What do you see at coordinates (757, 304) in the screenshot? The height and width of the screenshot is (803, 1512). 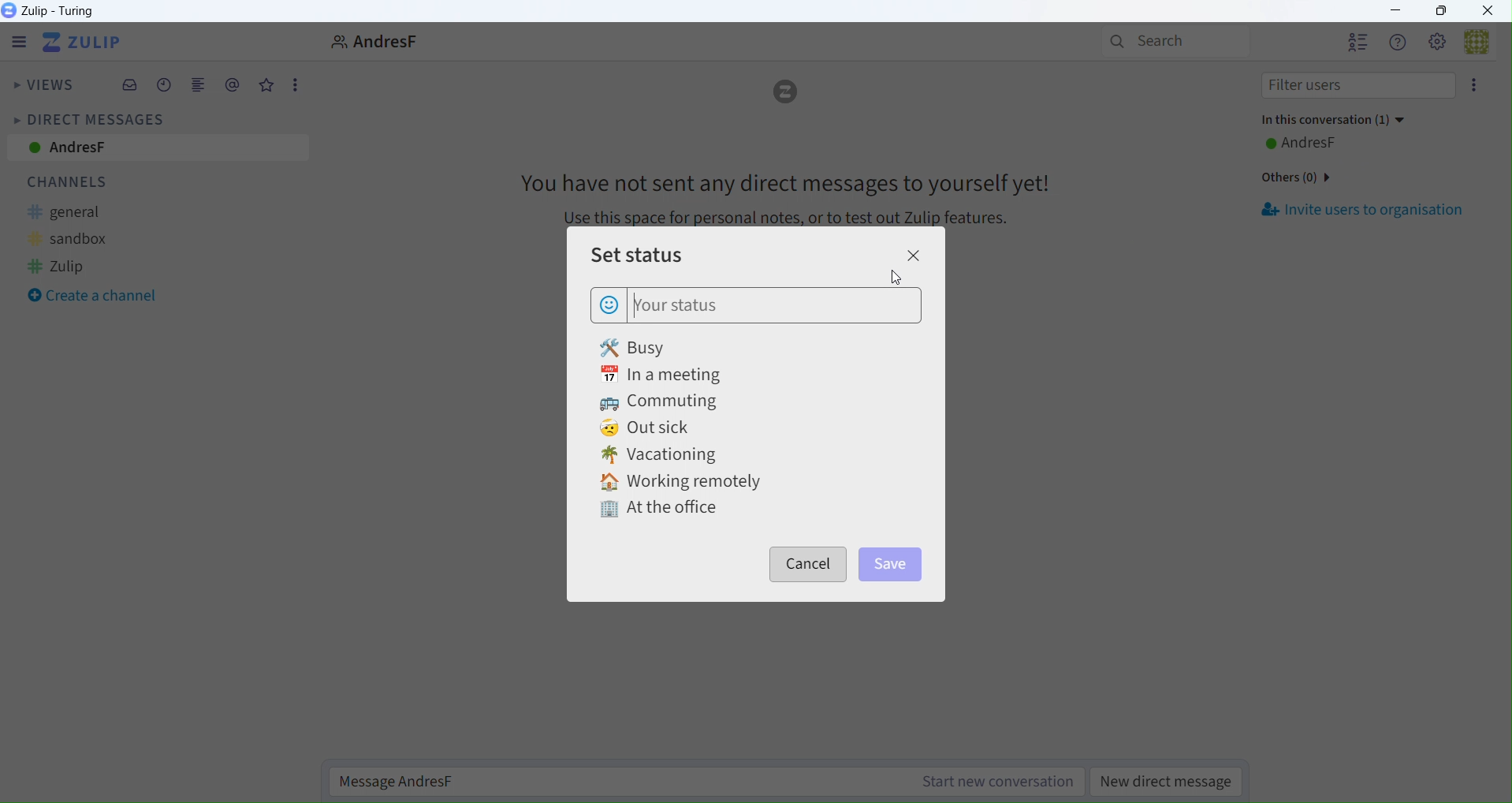 I see `Your status` at bounding box center [757, 304].